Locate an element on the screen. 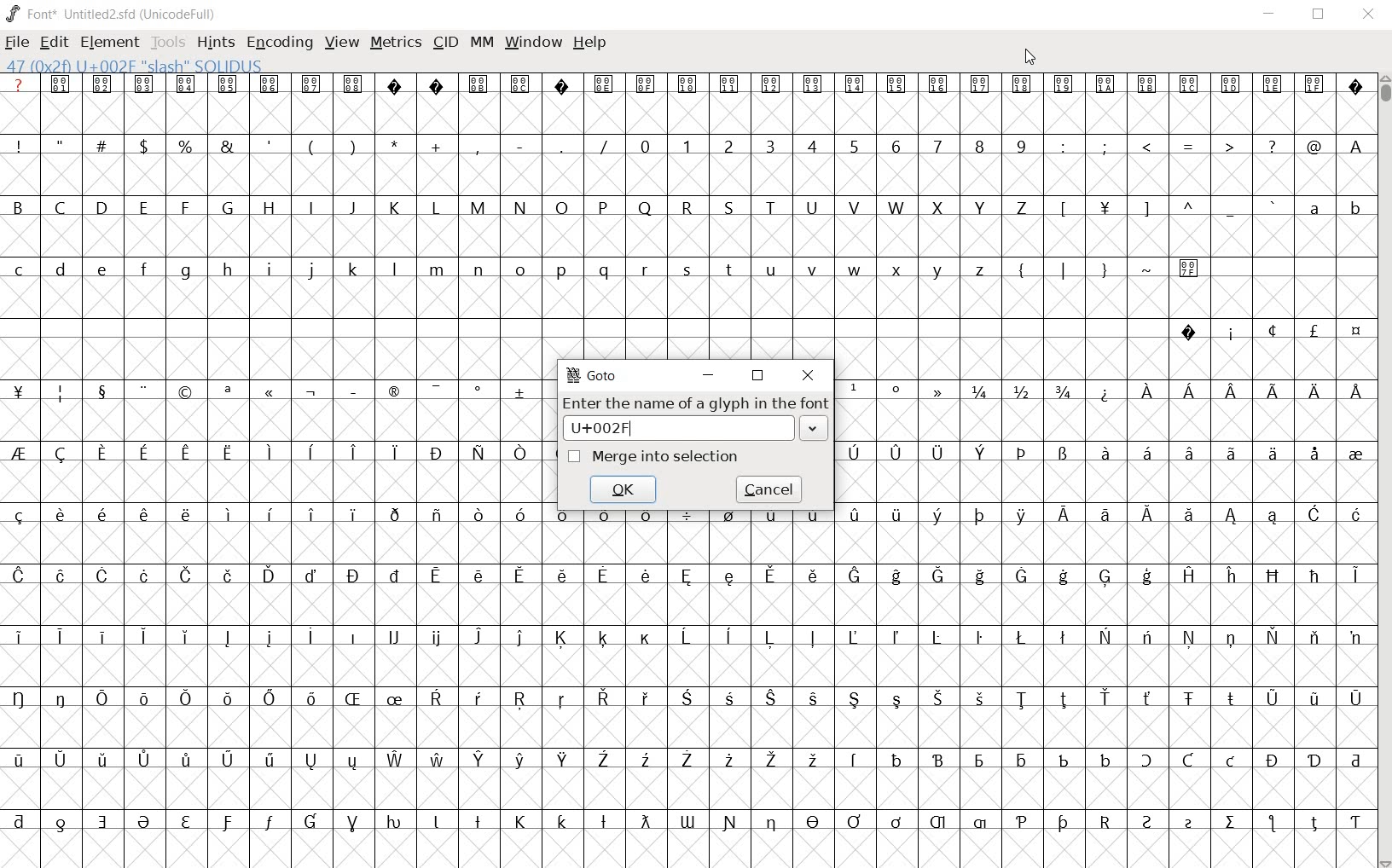 The height and width of the screenshot is (868, 1392). symbols is located at coordinates (1106, 267).